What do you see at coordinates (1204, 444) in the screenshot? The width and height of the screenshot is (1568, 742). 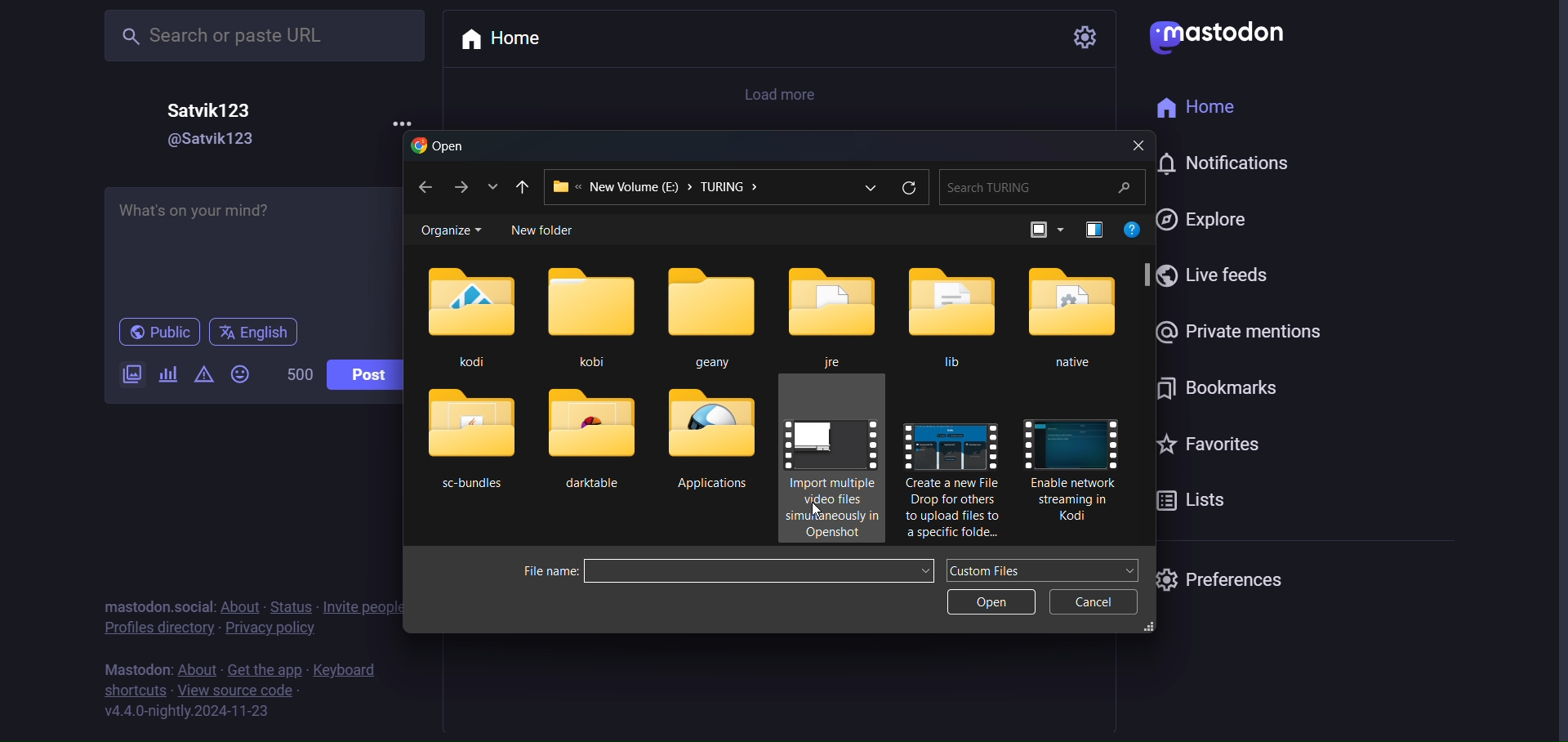 I see `favorites` at bounding box center [1204, 444].